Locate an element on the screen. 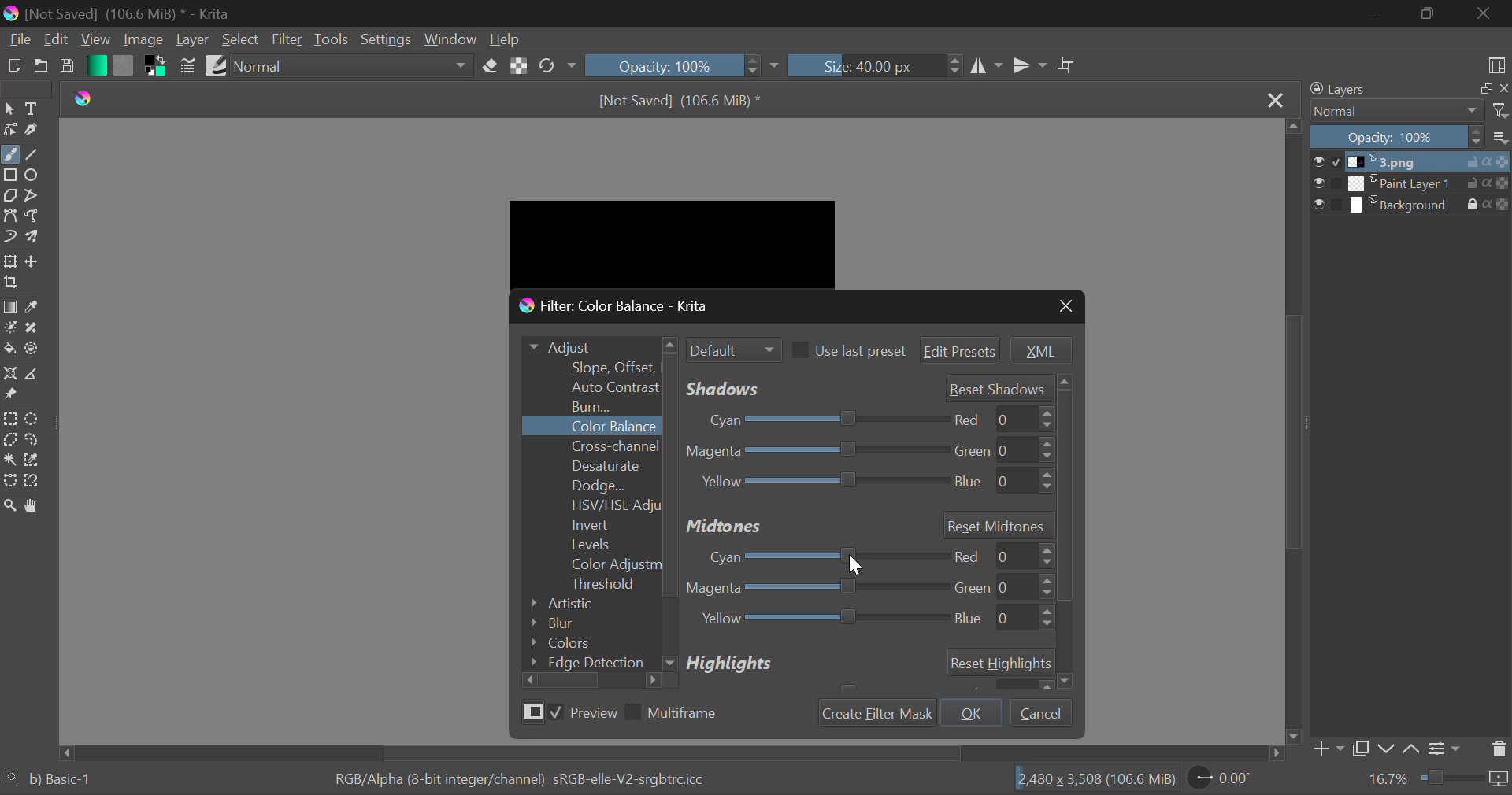 The image size is (1512, 795). Levels is located at coordinates (592, 545).